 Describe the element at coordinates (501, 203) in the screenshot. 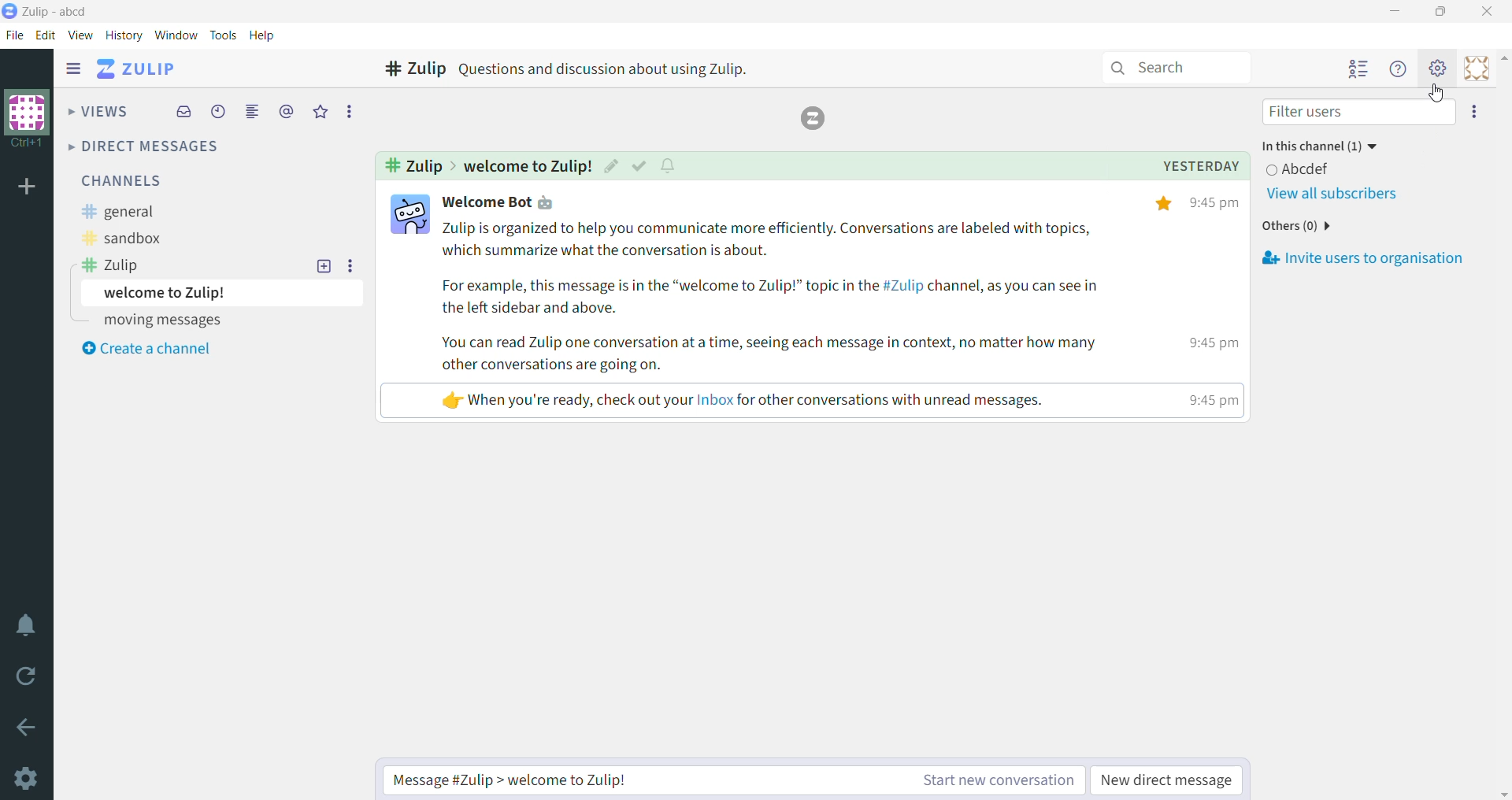

I see `(321 Welcome Bot ¢y` at that location.